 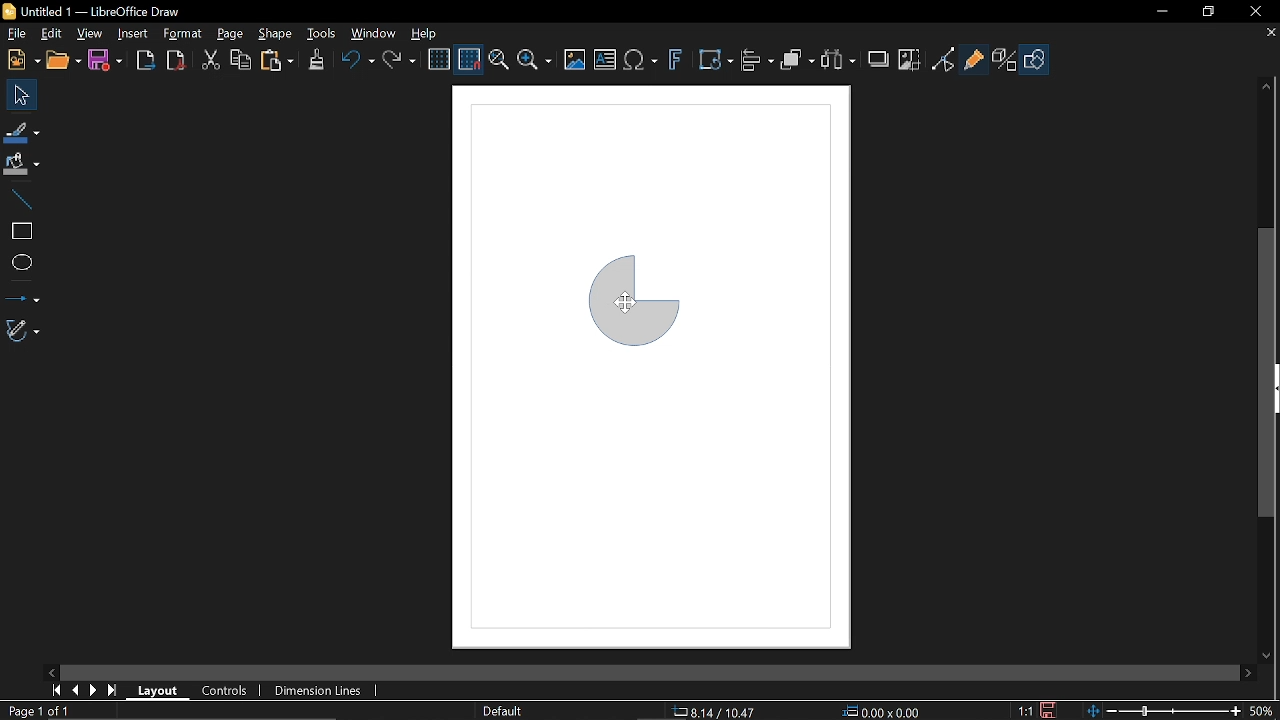 What do you see at coordinates (1267, 371) in the screenshot?
I see `Vertical scrollbar` at bounding box center [1267, 371].